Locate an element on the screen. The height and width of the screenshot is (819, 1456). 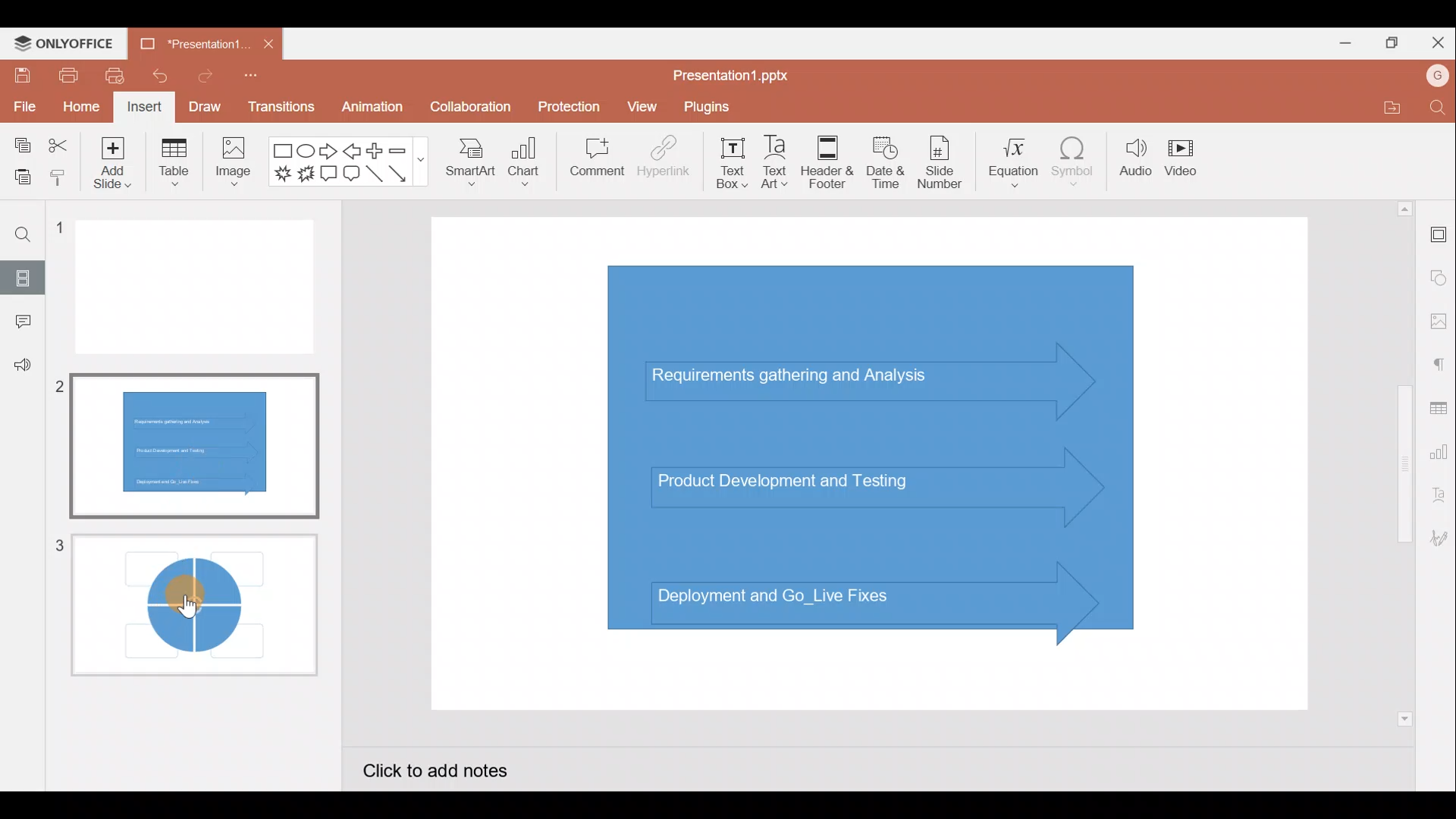
Rounded Rectangular callout is located at coordinates (351, 176).